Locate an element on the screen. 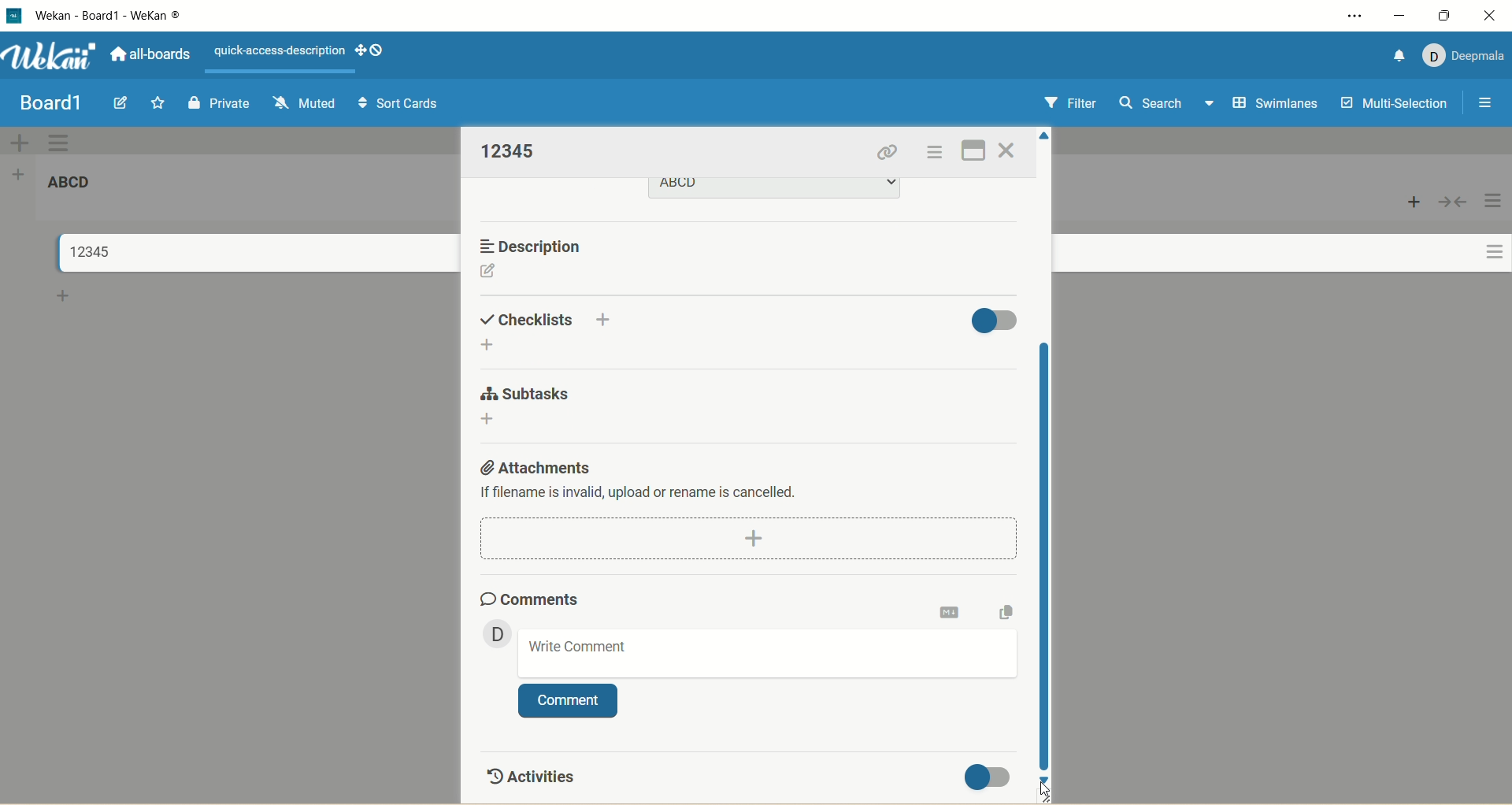 The width and height of the screenshot is (1512, 805). attachments is located at coordinates (533, 465).